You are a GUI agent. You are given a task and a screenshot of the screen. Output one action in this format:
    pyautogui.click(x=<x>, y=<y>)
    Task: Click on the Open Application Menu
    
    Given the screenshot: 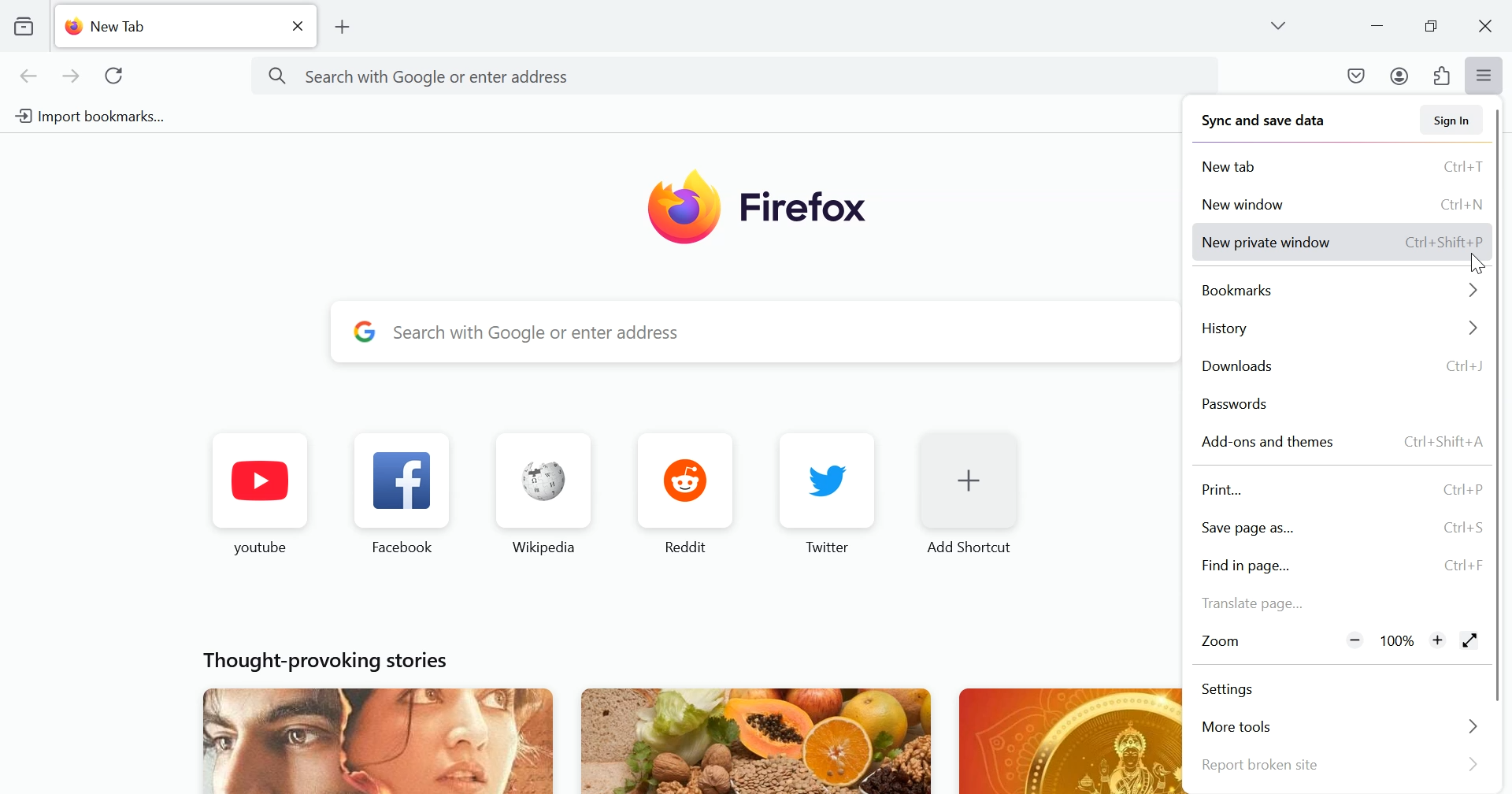 What is the action you would take?
    pyautogui.click(x=1487, y=76)
    